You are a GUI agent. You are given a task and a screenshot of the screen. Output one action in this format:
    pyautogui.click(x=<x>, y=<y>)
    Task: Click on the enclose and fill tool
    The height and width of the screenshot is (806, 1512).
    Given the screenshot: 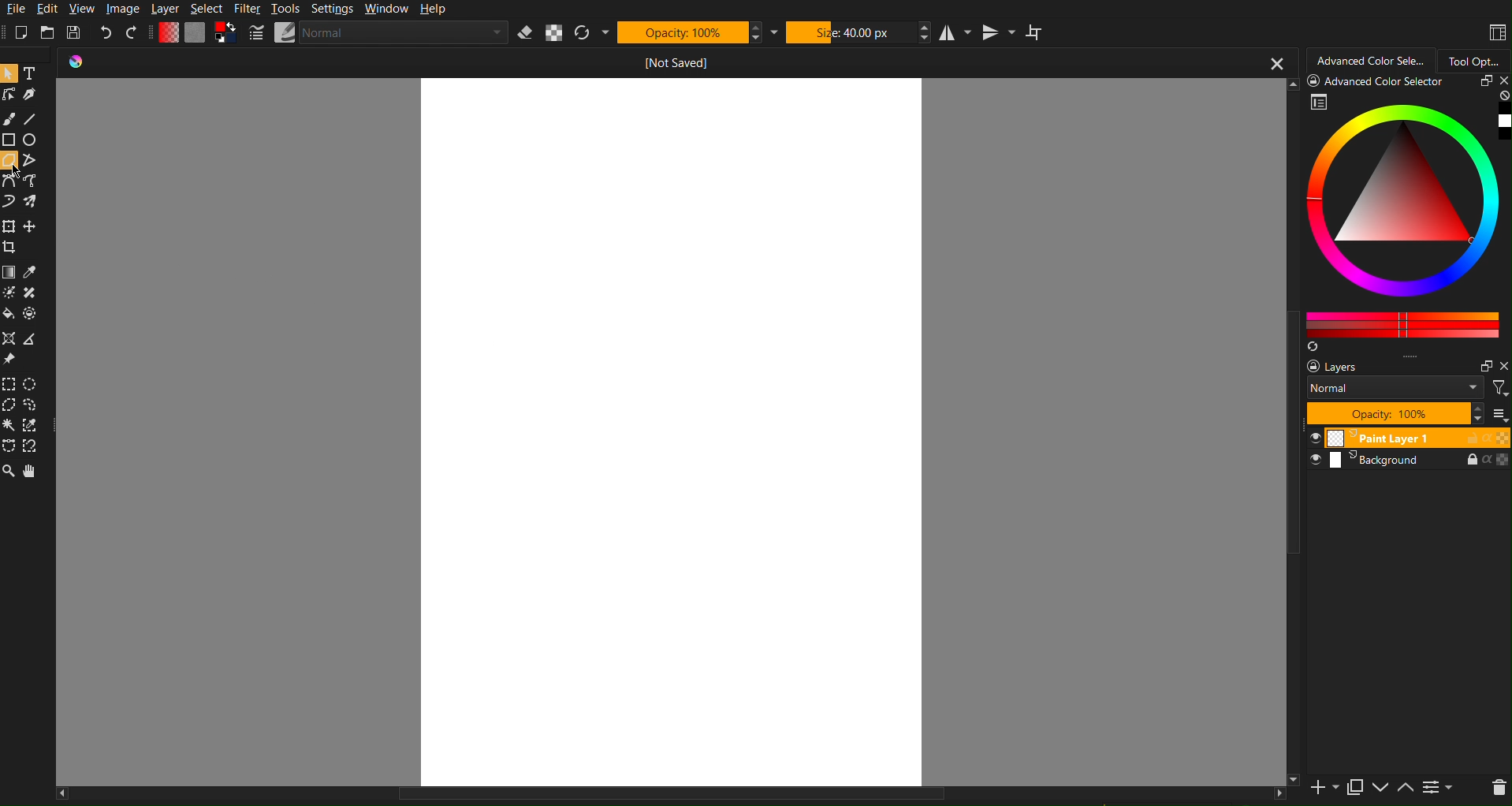 What is the action you would take?
    pyautogui.click(x=36, y=313)
    